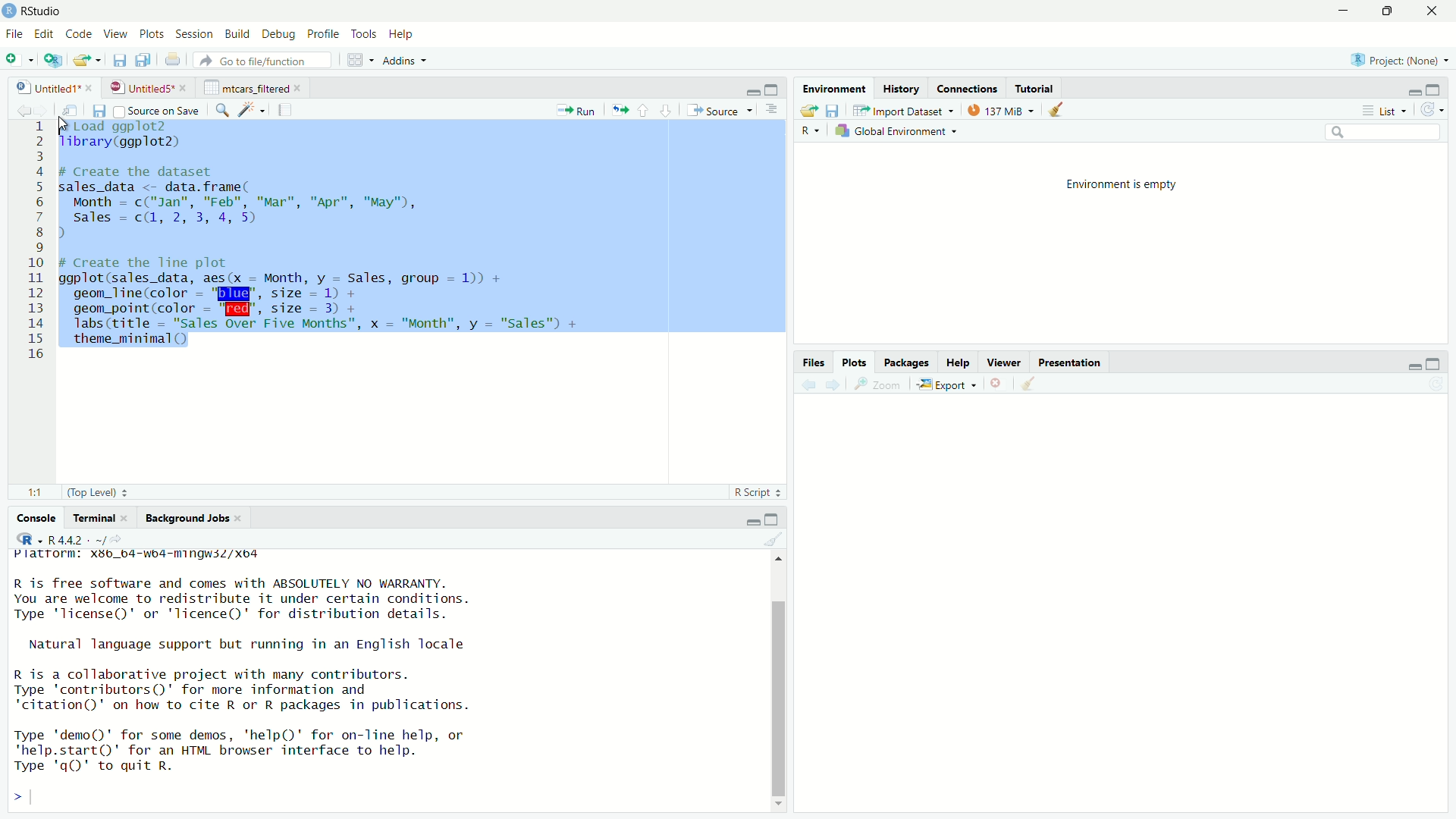 The image size is (1456, 819). What do you see at coordinates (1035, 89) in the screenshot?
I see `Tutorial` at bounding box center [1035, 89].